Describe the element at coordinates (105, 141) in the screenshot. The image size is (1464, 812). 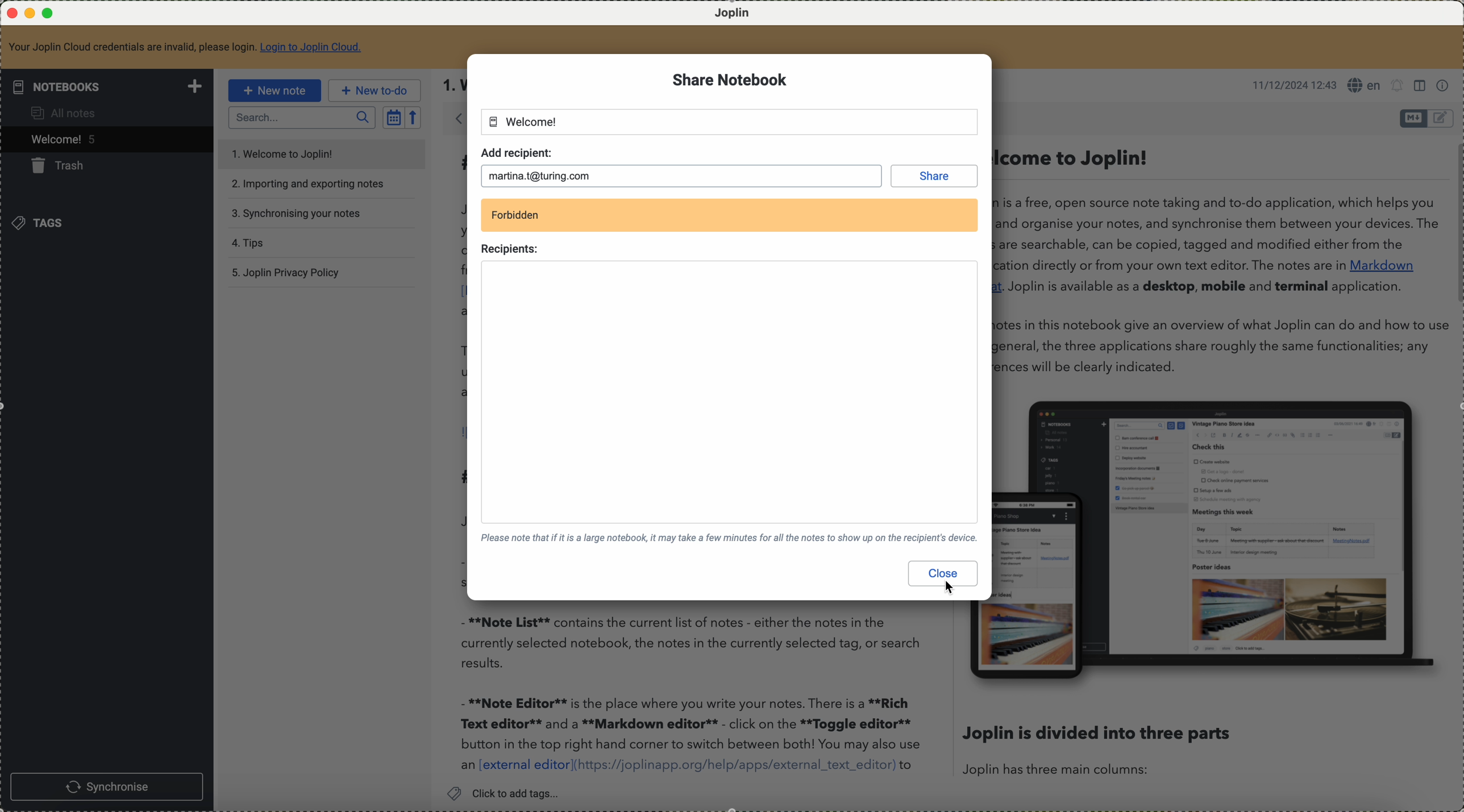
I see `click on welcome note` at that location.